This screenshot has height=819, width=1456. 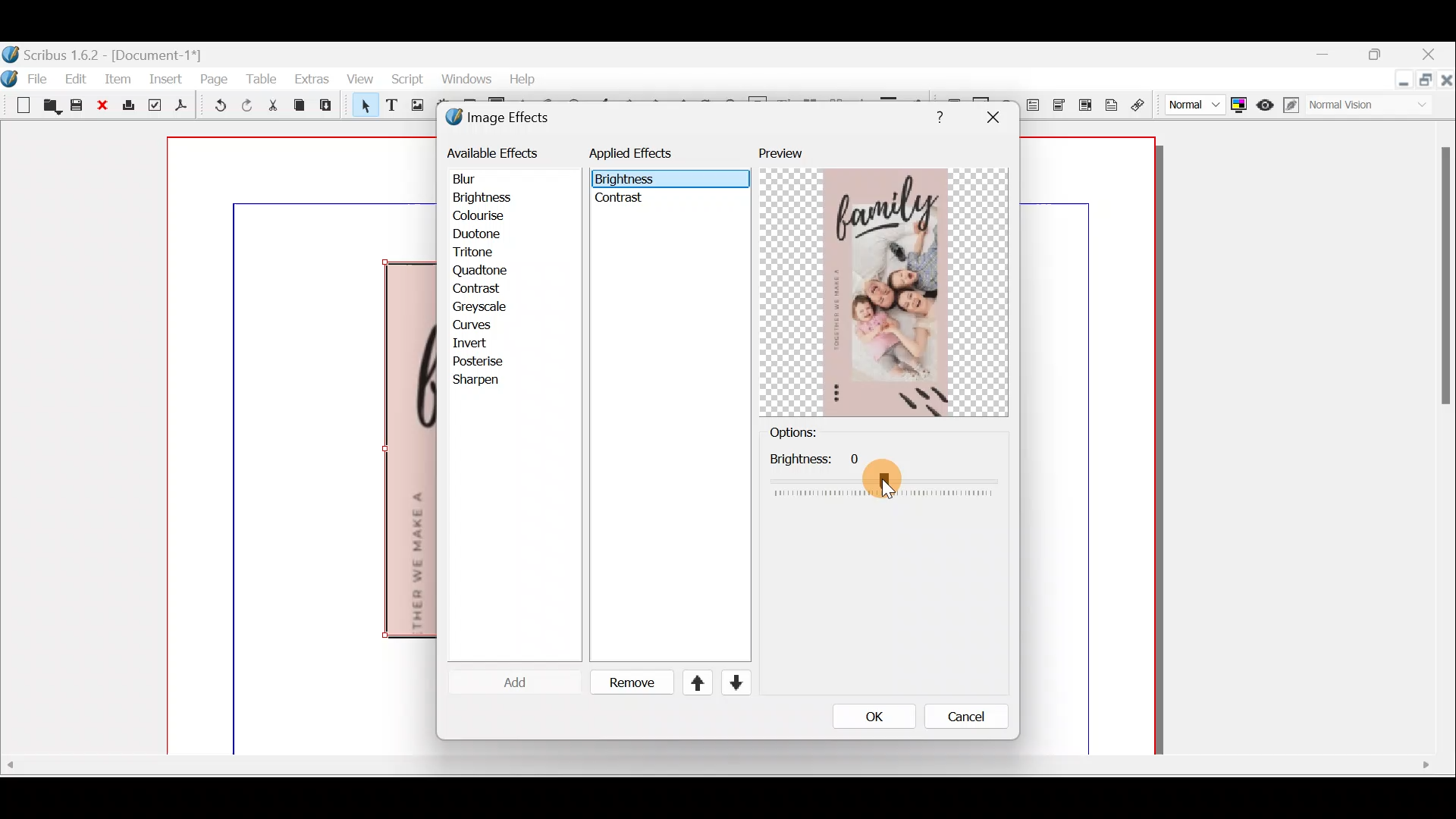 I want to click on File, so click(x=40, y=77).